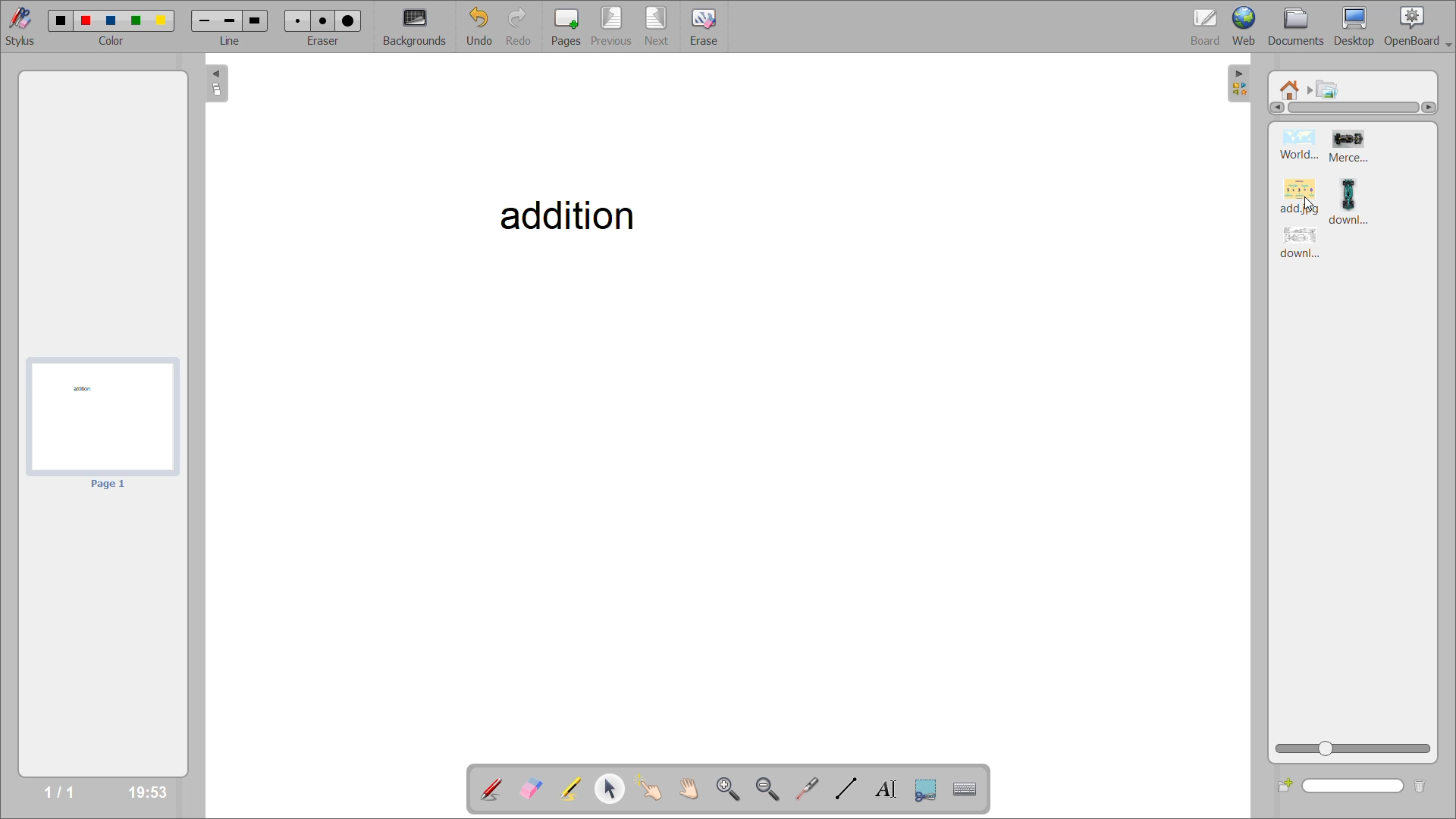  Describe the element at coordinates (1281, 787) in the screenshot. I see `add folder` at that location.